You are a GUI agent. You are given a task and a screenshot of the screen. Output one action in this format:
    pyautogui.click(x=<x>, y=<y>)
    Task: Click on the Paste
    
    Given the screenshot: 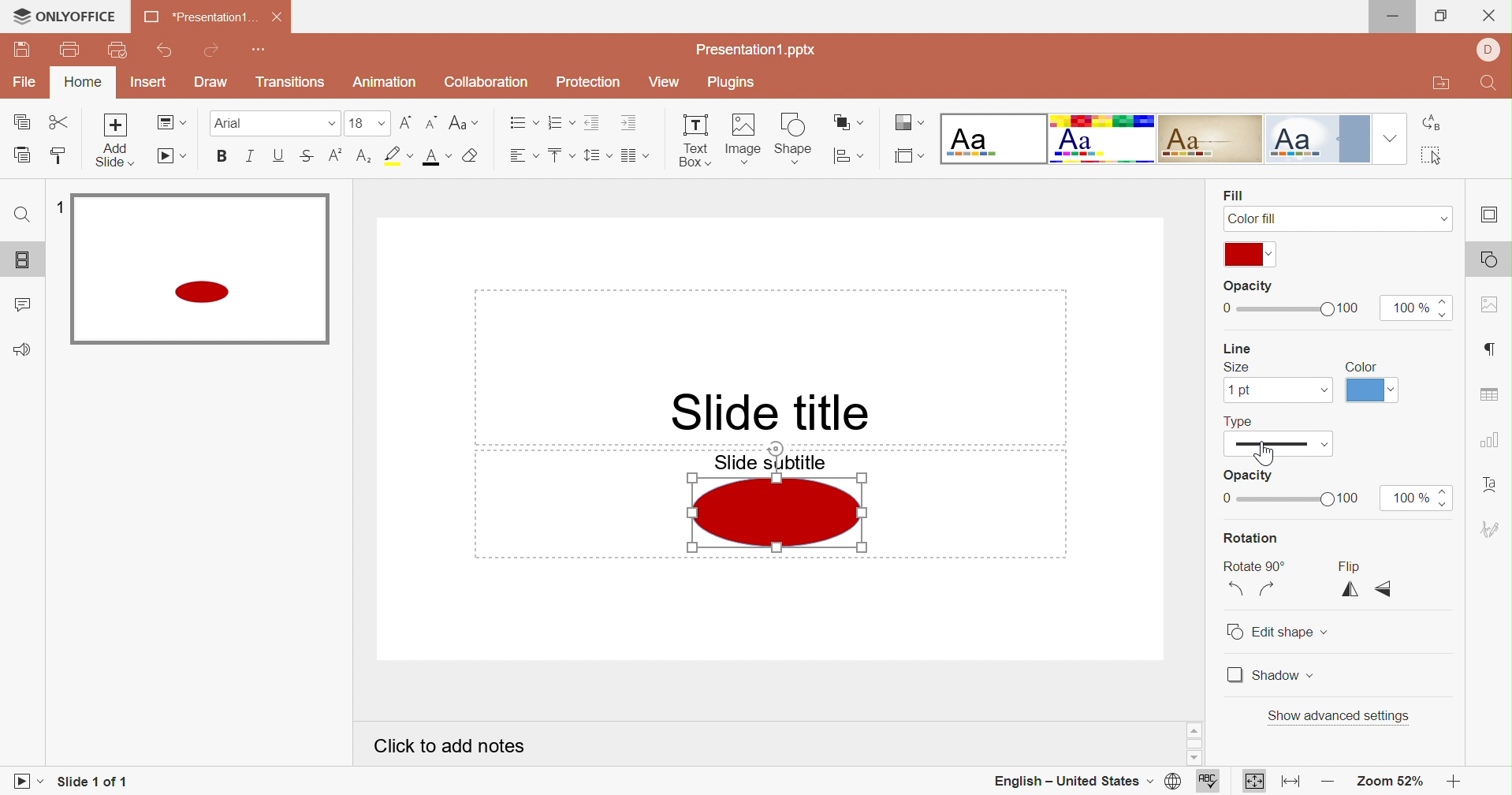 What is the action you would take?
    pyautogui.click(x=26, y=156)
    